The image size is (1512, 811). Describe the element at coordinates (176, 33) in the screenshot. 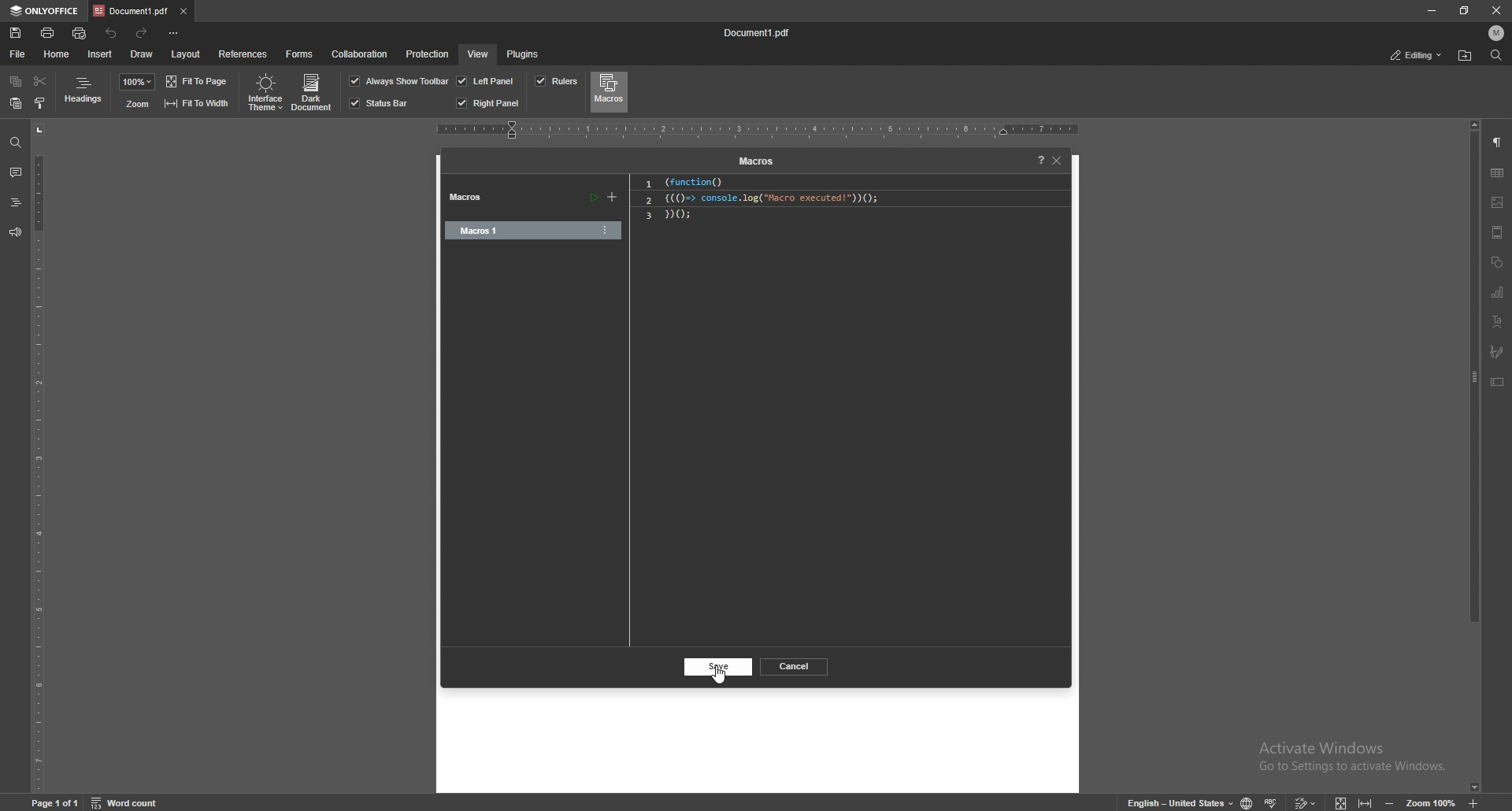

I see `customize toolbar` at that location.